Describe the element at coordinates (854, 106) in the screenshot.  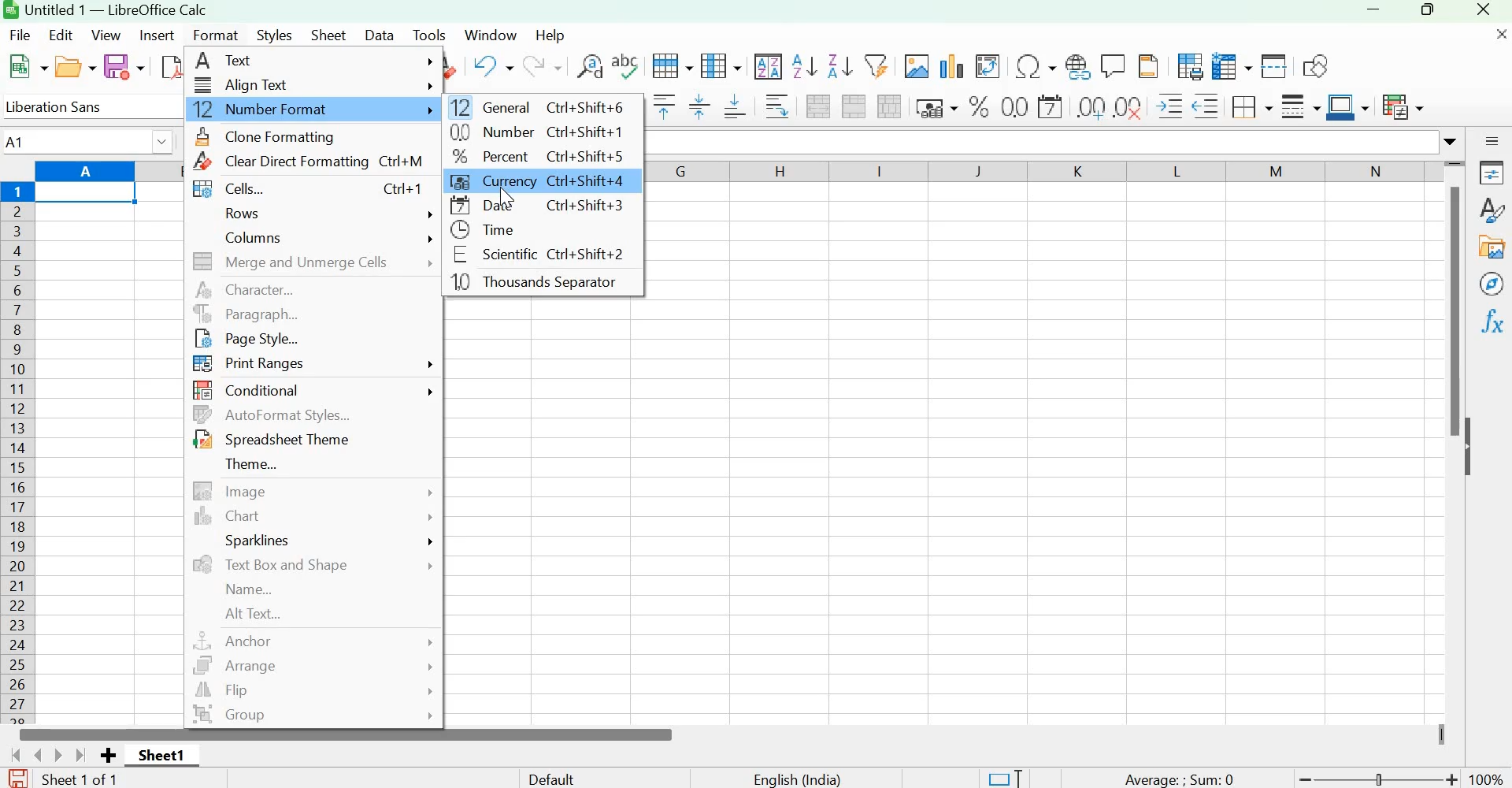
I see `Merge cells` at that location.